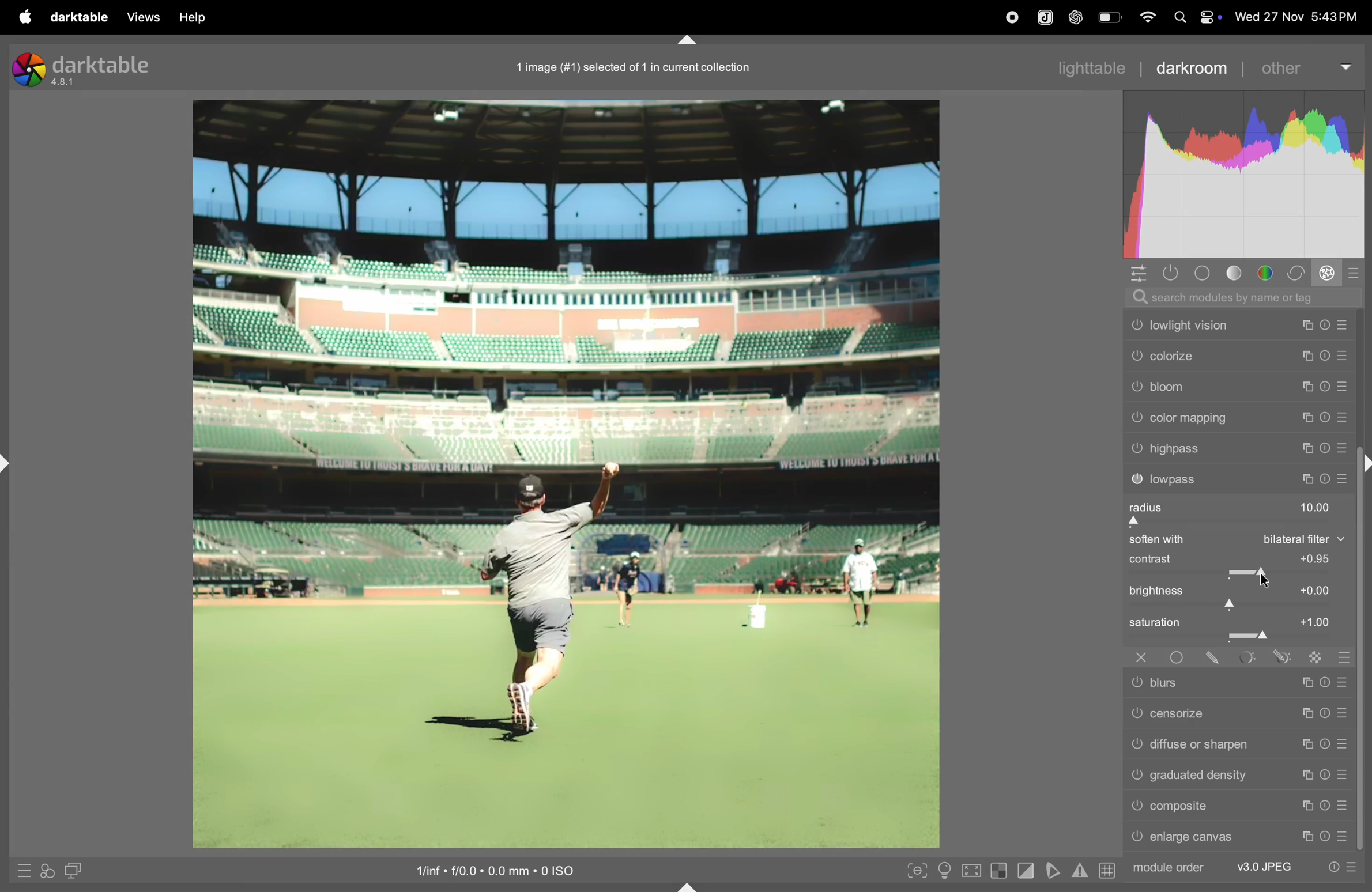 This screenshot has height=892, width=1372. I want to click on off, so click(1139, 657).